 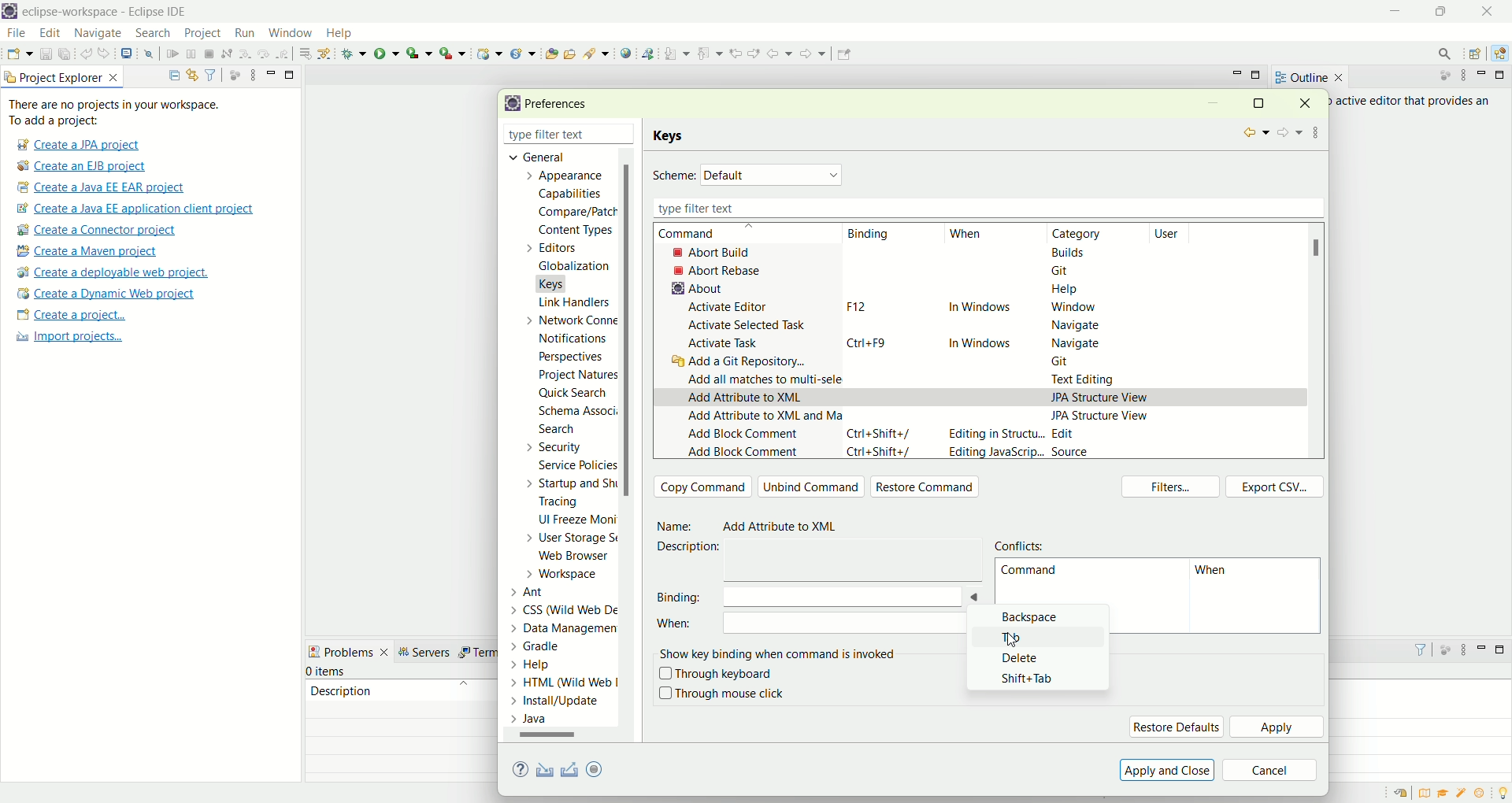 I want to click on minimize, so click(x=1484, y=75).